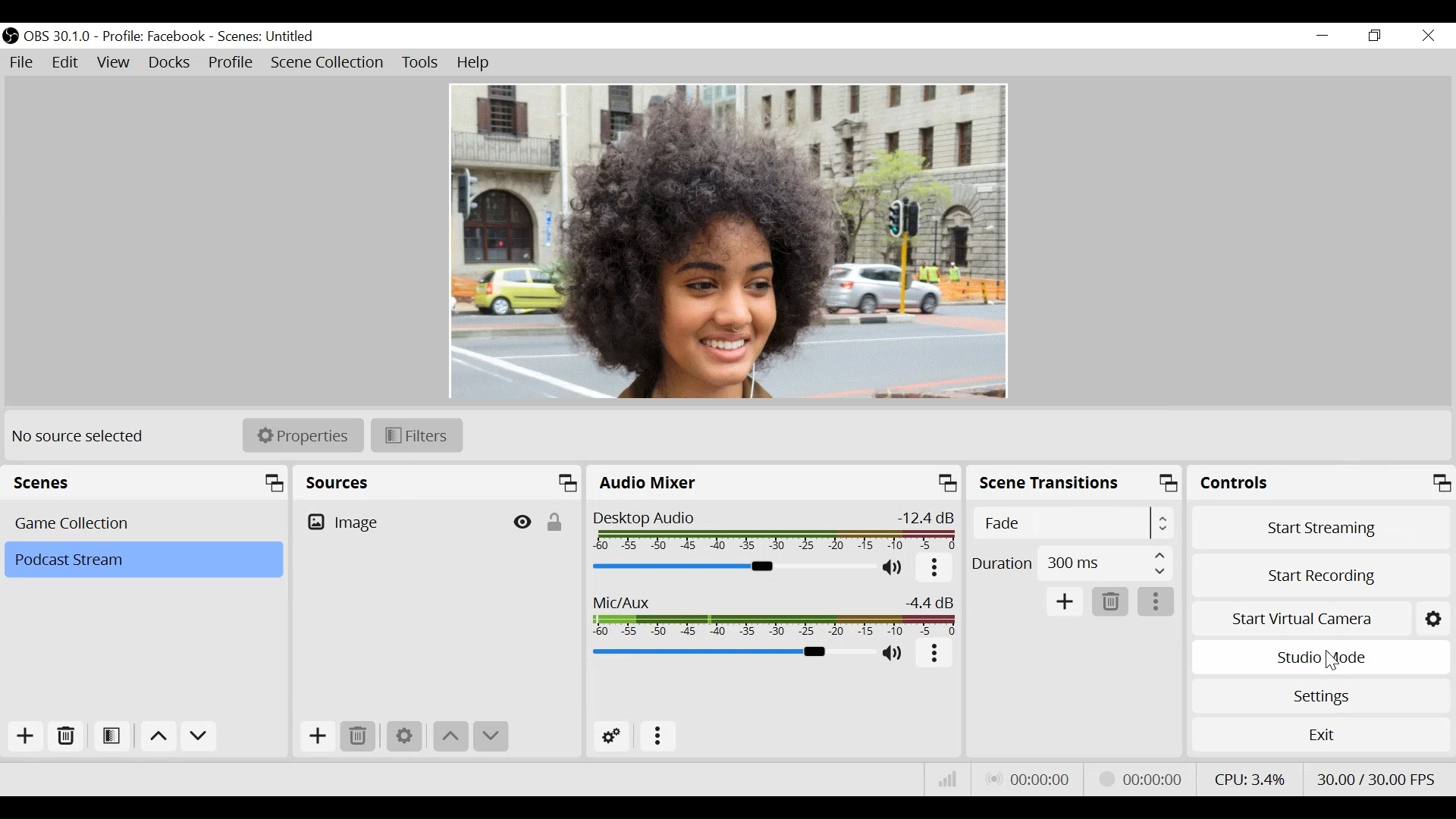 This screenshot has height=819, width=1456. I want to click on Advanced Audio Settings, so click(611, 736).